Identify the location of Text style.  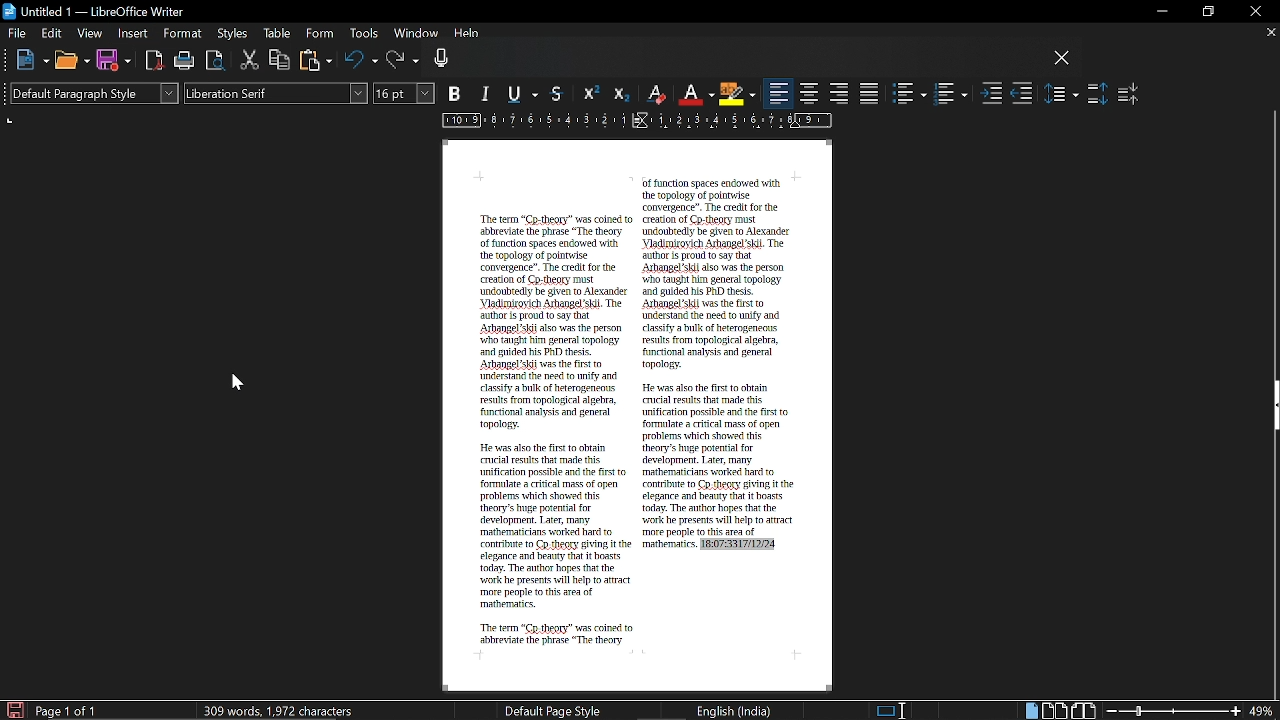
(276, 94).